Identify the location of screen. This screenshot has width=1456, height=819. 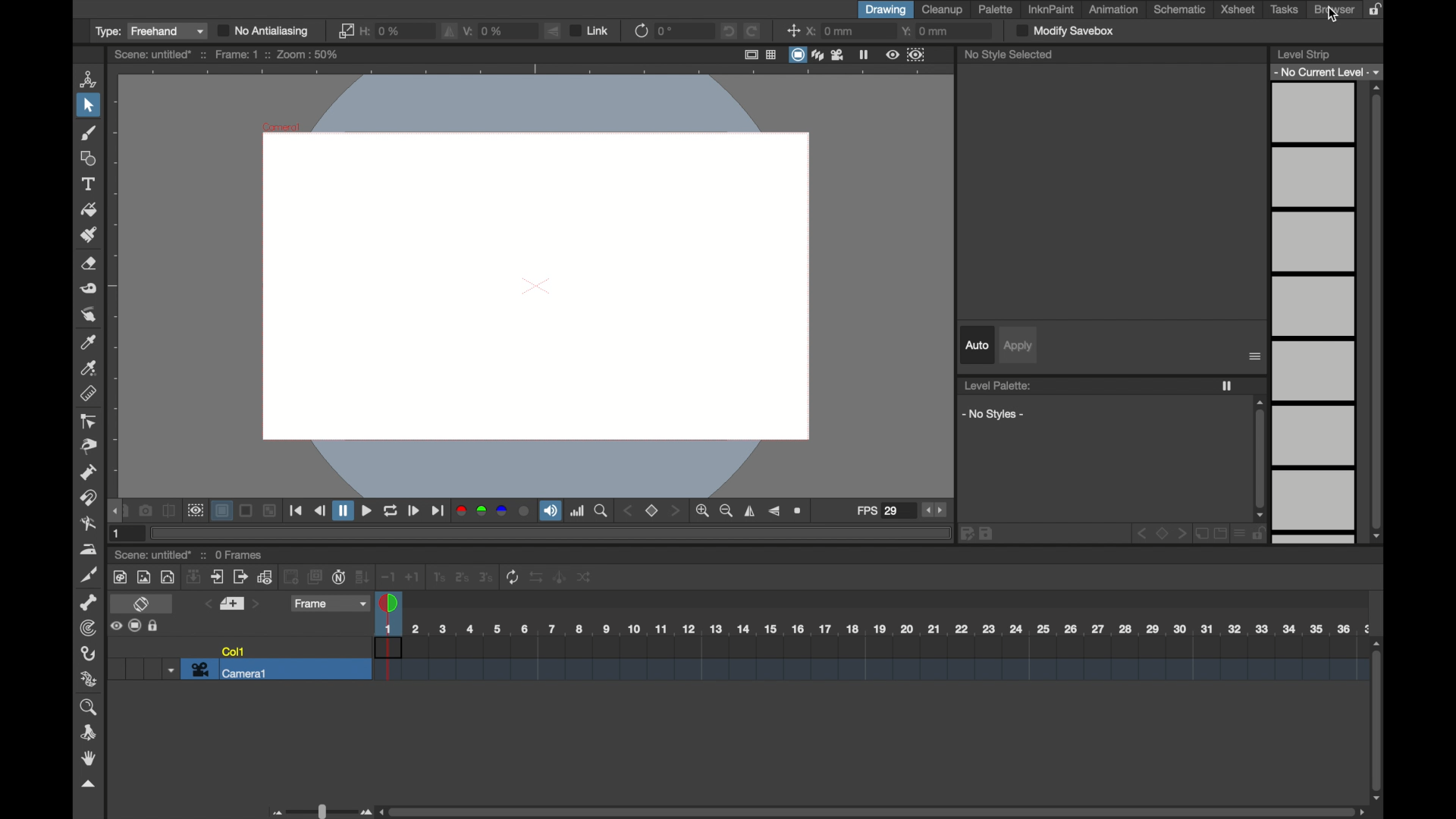
(135, 625).